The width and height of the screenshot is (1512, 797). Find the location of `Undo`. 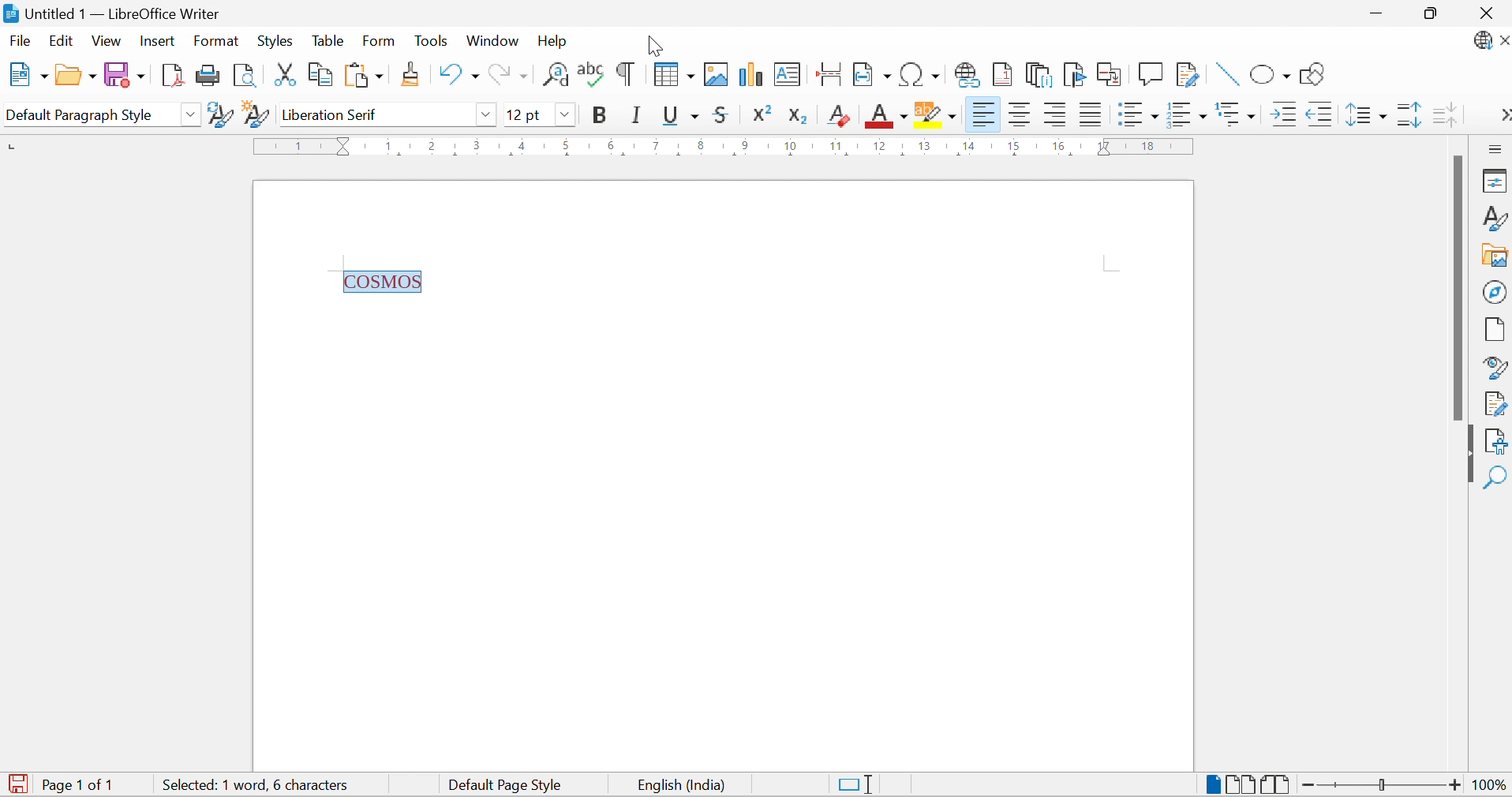

Undo is located at coordinates (456, 75).